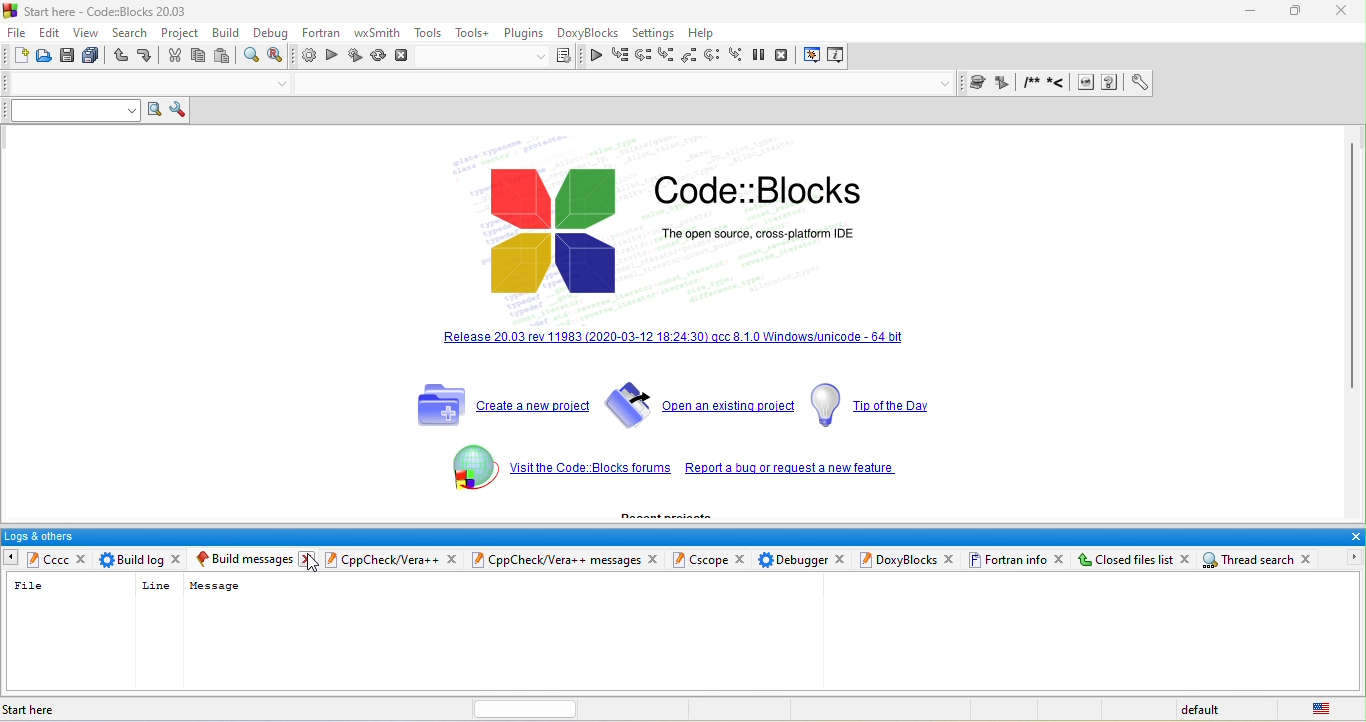 This screenshot has height=722, width=1366. Describe the element at coordinates (1141, 83) in the screenshot. I see `open preference` at that location.